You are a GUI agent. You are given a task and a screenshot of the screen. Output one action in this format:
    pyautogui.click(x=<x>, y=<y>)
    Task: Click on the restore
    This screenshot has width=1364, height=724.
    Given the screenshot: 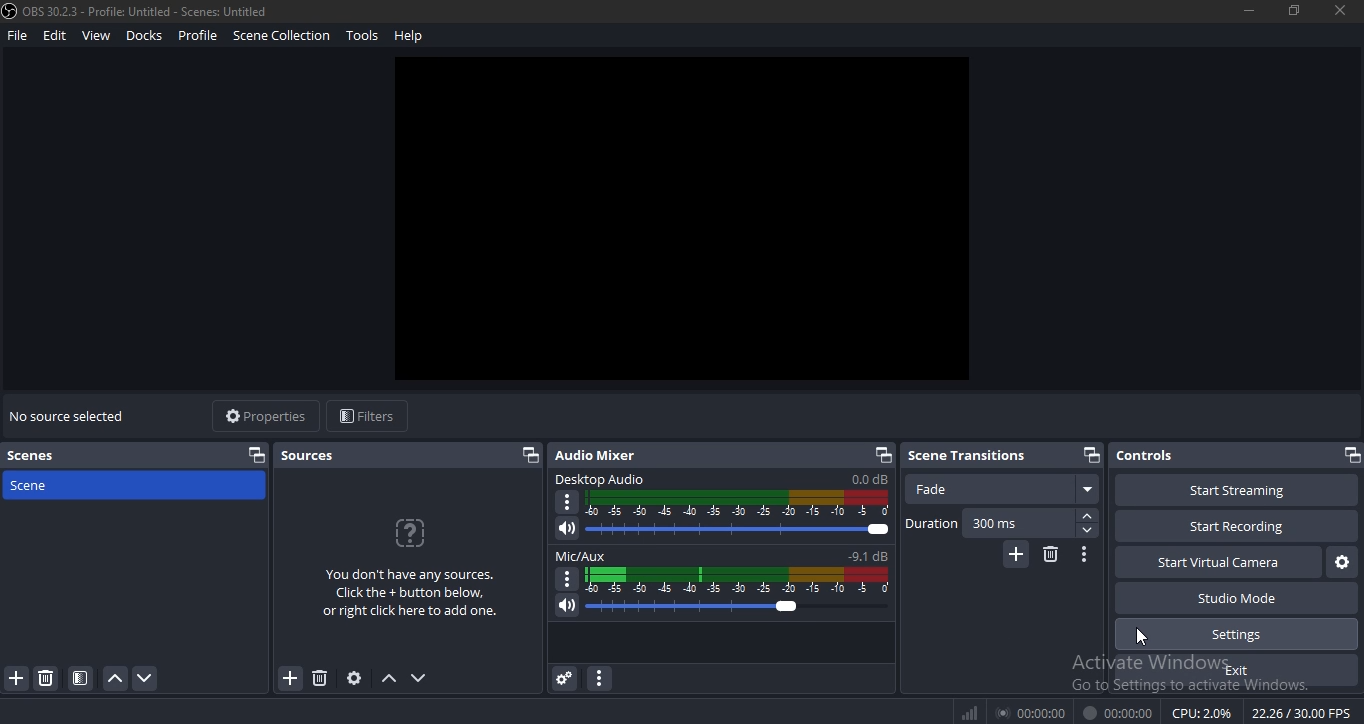 What is the action you would take?
    pyautogui.click(x=1350, y=455)
    